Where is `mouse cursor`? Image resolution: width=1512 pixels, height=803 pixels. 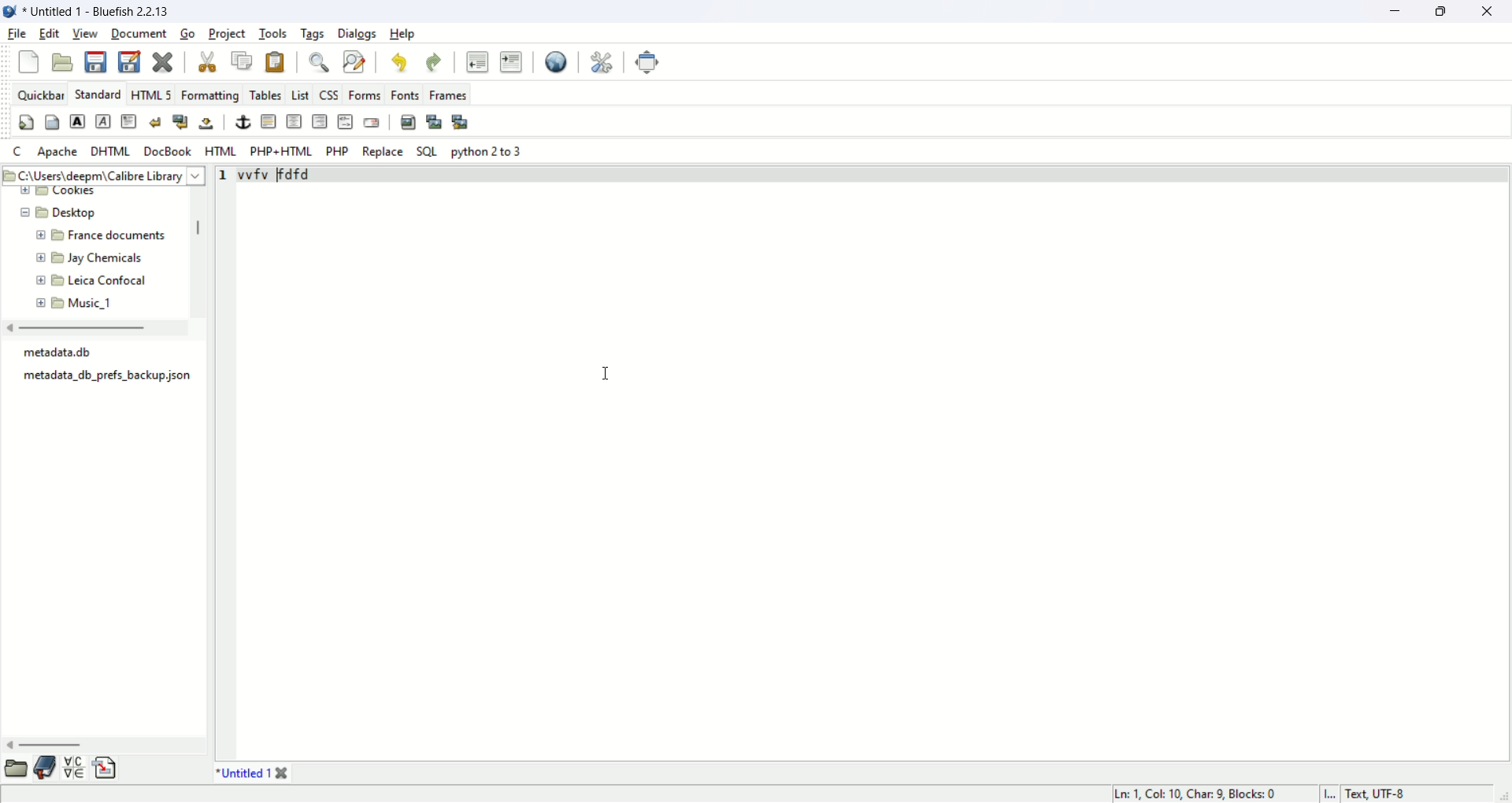 mouse cursor is located at coordinates (606, 376).